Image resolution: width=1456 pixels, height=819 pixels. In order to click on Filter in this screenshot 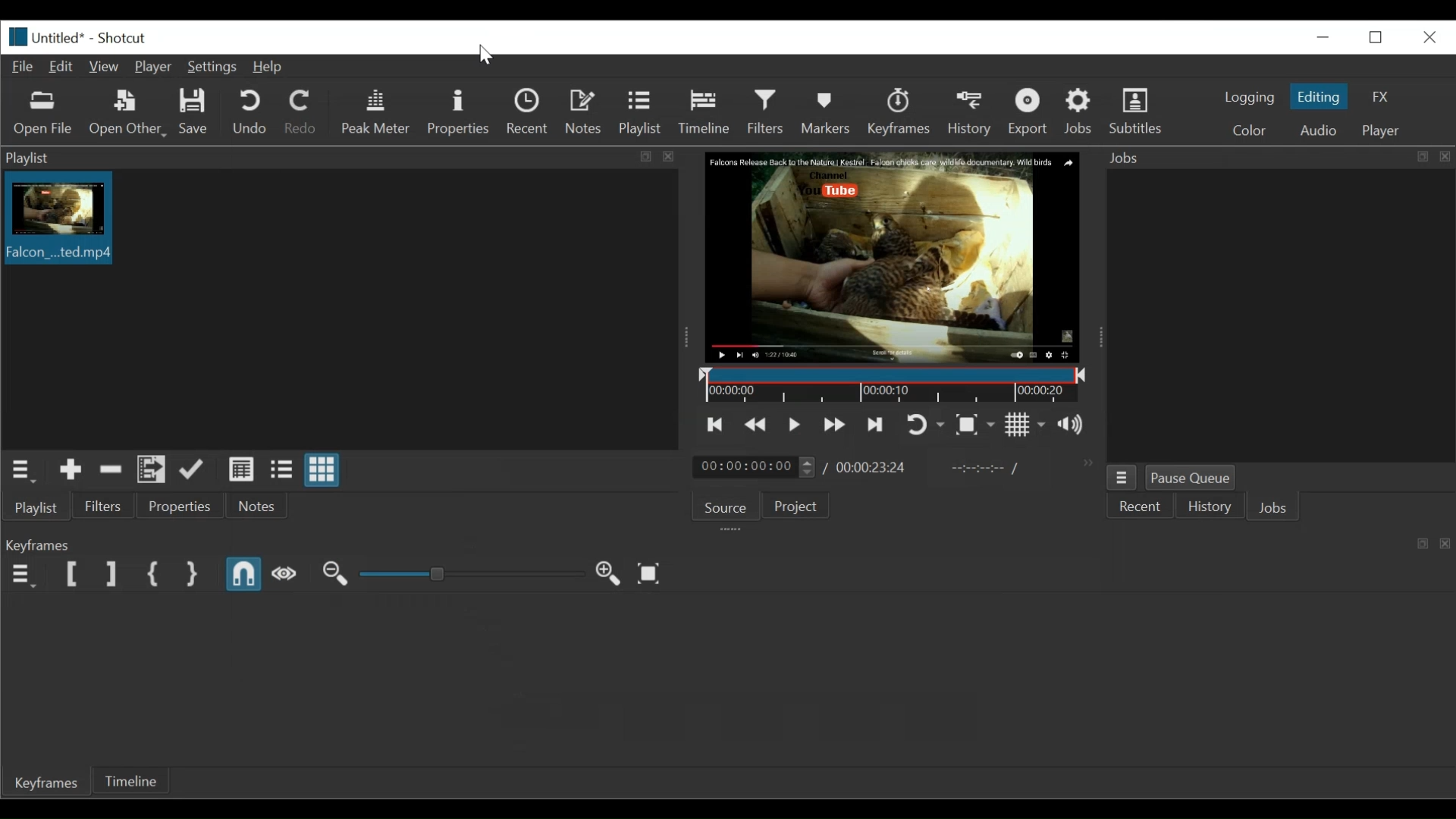, I will do `click(104, 507)`.